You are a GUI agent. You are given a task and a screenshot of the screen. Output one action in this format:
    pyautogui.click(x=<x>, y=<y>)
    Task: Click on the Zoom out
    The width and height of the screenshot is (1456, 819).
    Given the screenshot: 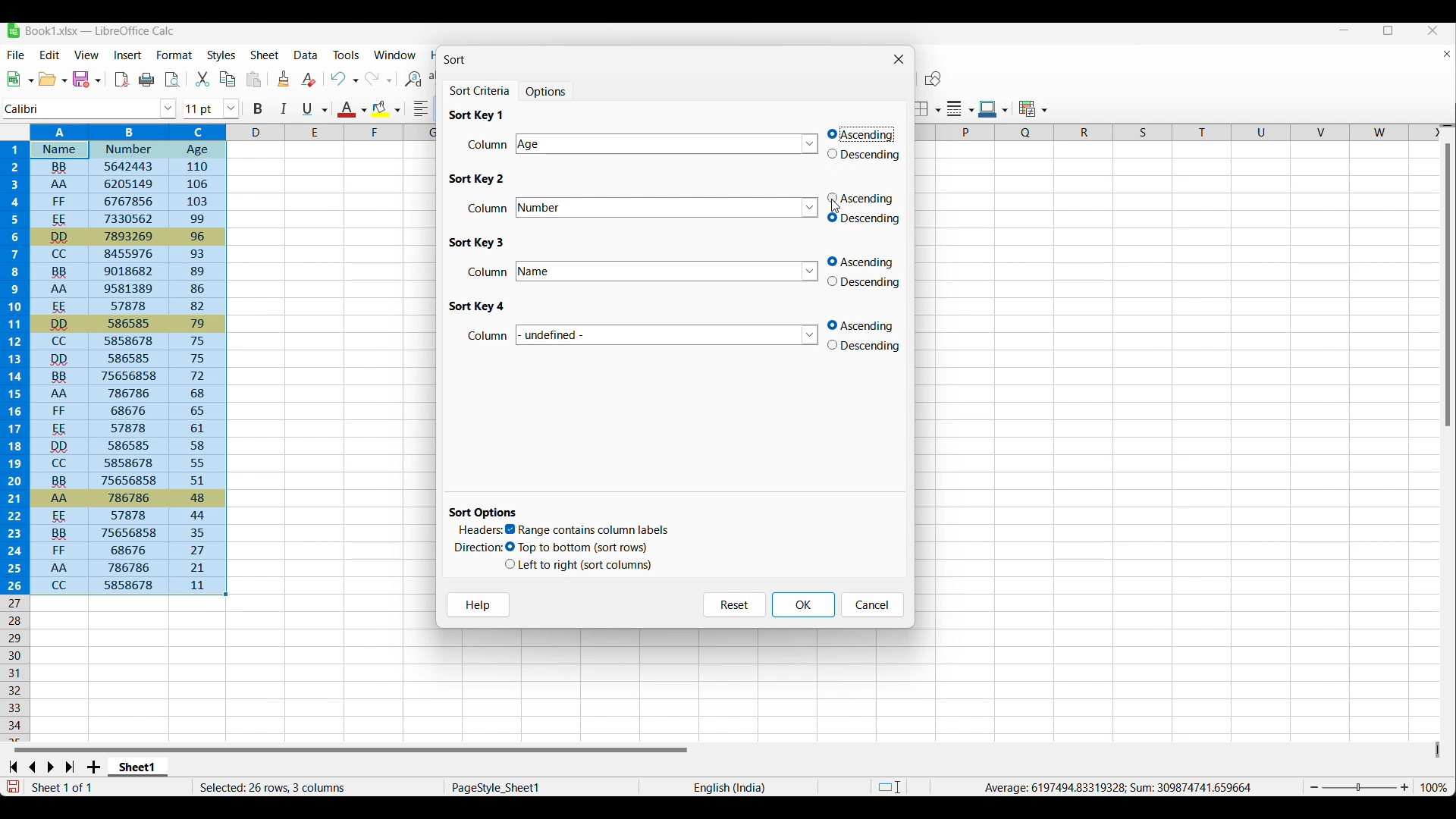 What is the action you would take?
    pyautogui.click(x=1314, y=787)
    